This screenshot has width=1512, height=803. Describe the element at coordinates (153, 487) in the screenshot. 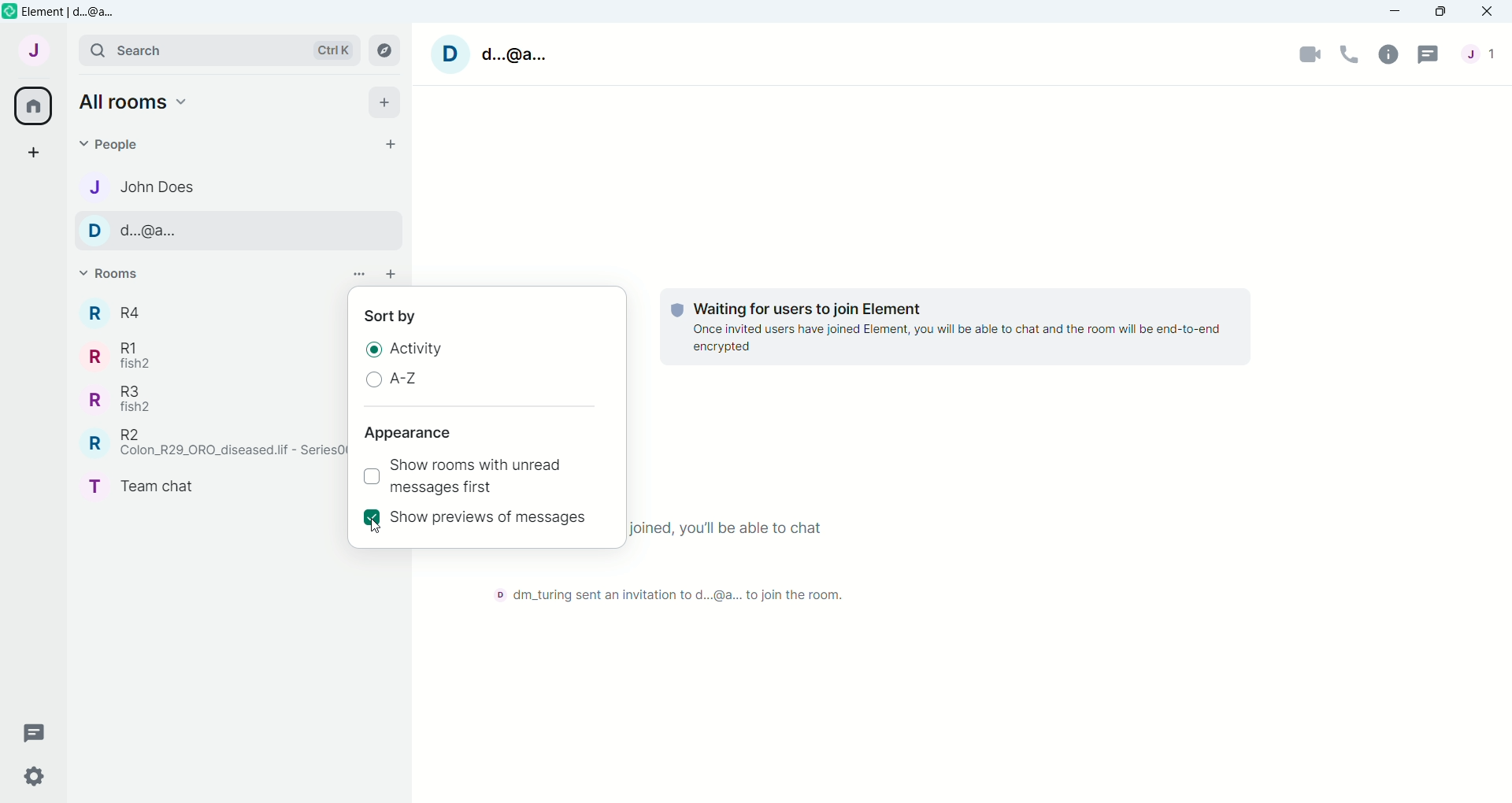

I see `Room Team CHat` at that location.